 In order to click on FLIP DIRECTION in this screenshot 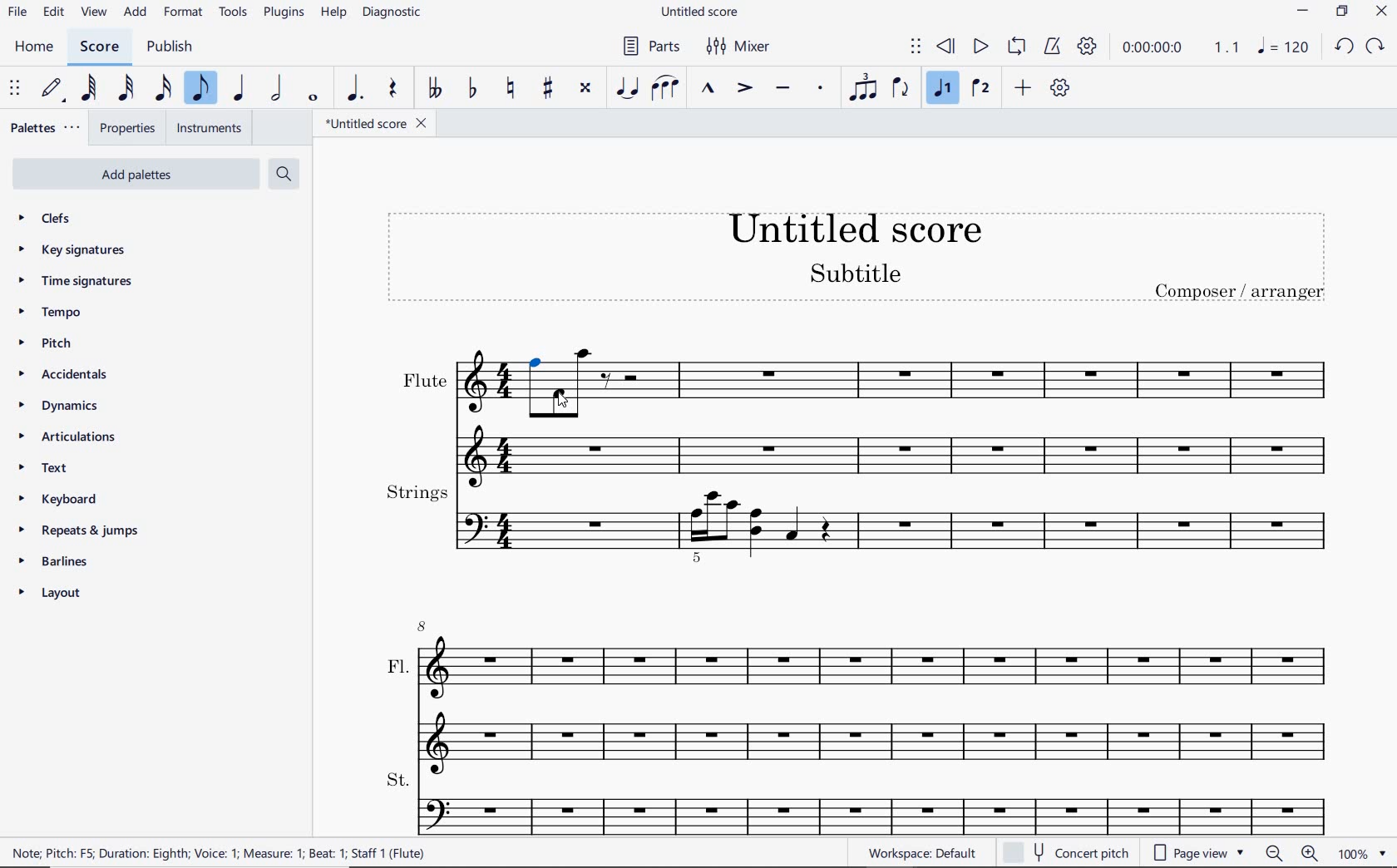, I will do `click(900, 89)`.